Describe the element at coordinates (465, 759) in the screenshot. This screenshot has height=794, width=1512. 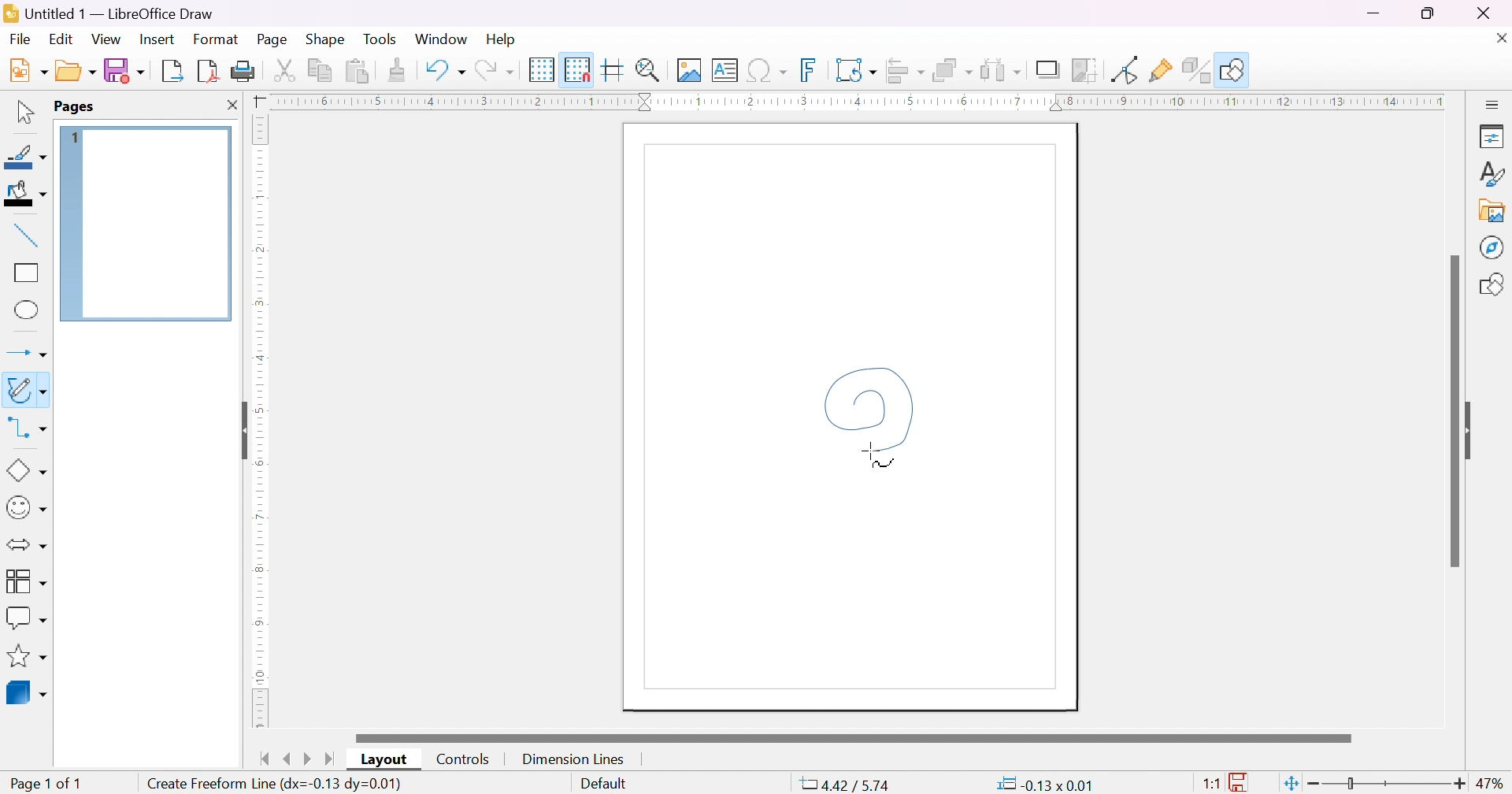
I see `controls` at that location.